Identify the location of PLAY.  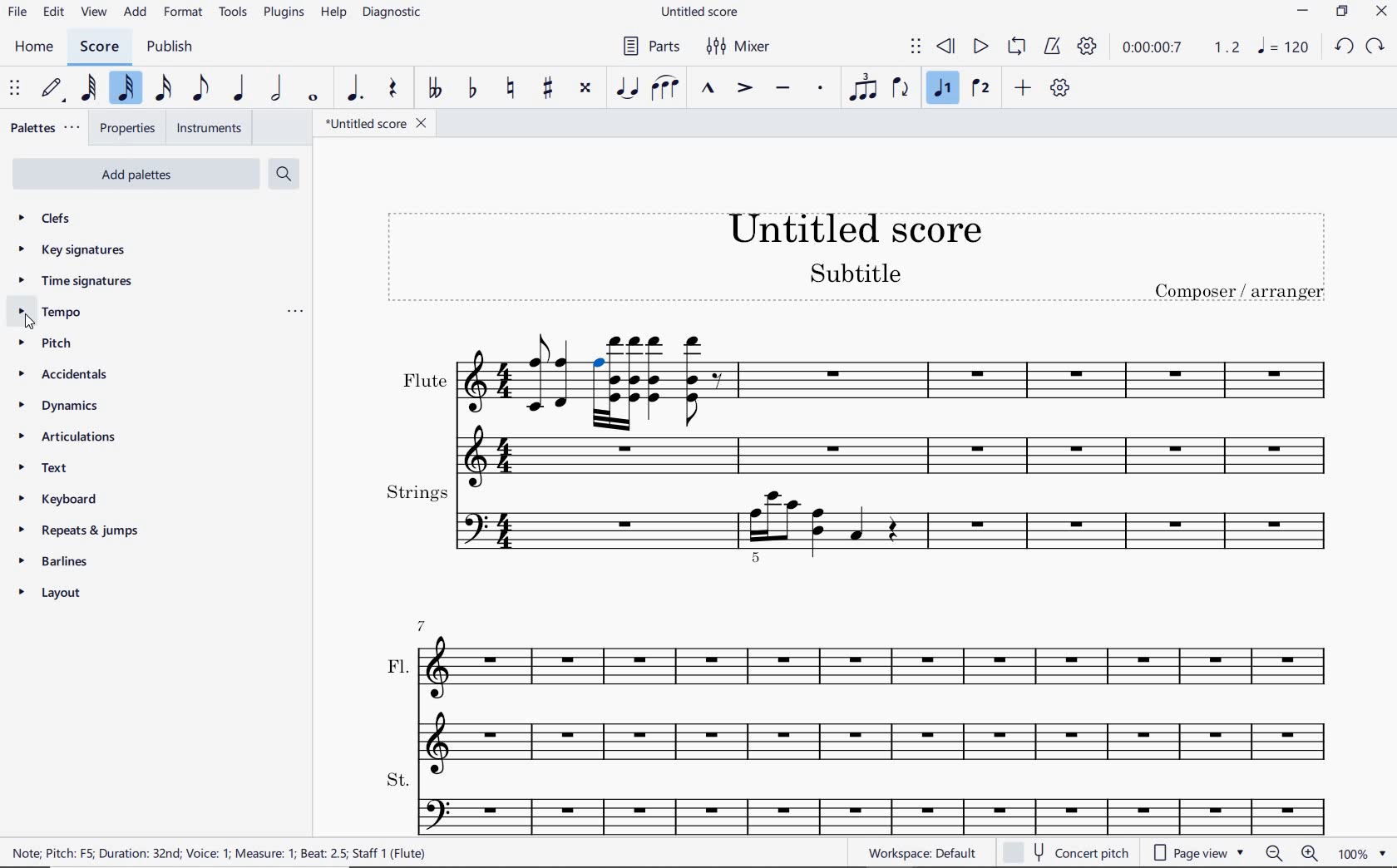
(981, 47).